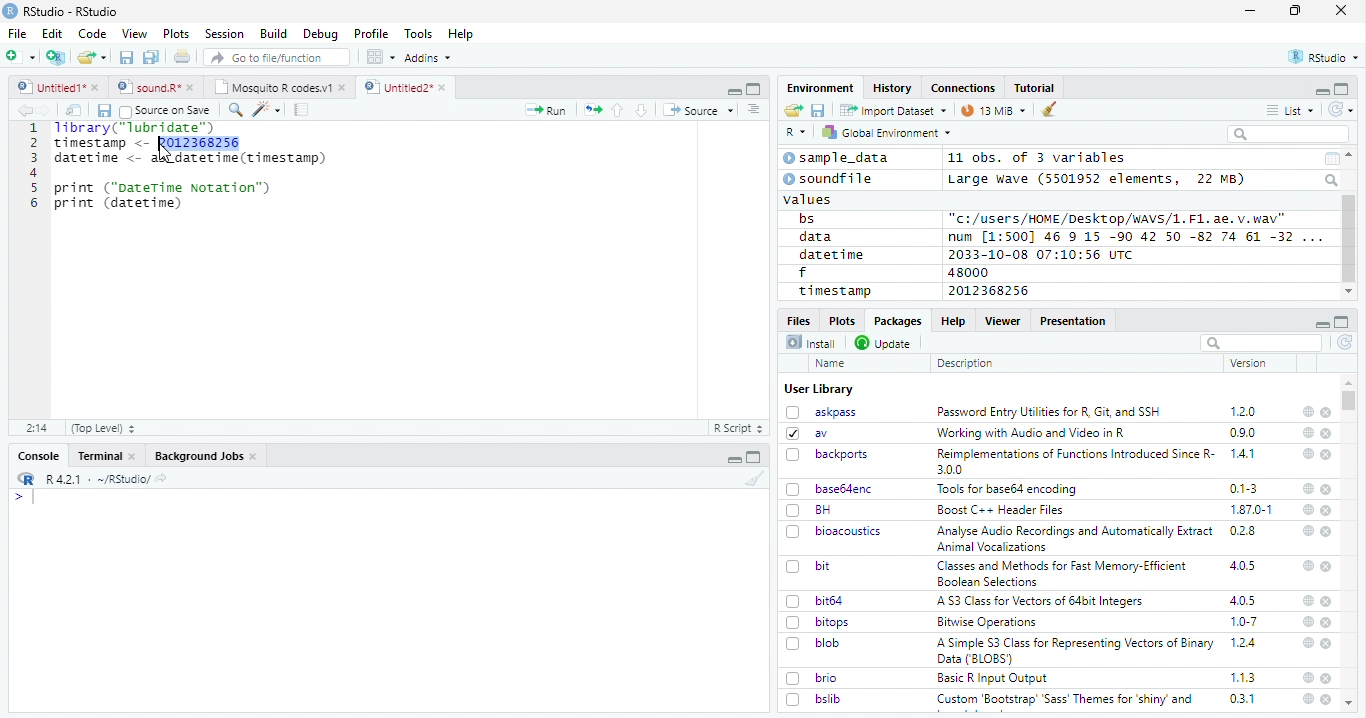  Describe the element at coordinates (279, 87) in the screenshot. I see `Mosquito R codes.v1` at that location.